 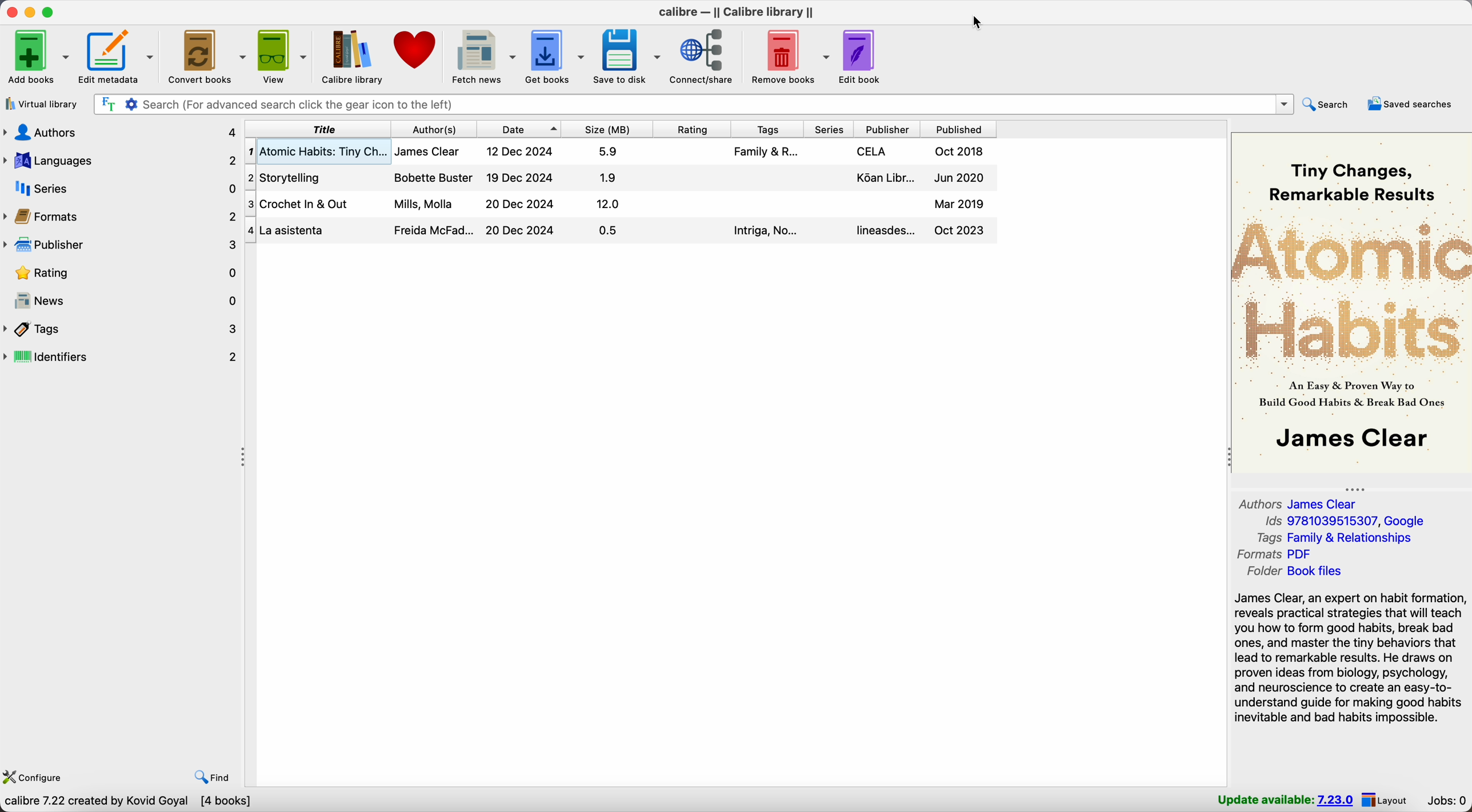 I want to click on authors James Clear, so click(x=1298, y=503).